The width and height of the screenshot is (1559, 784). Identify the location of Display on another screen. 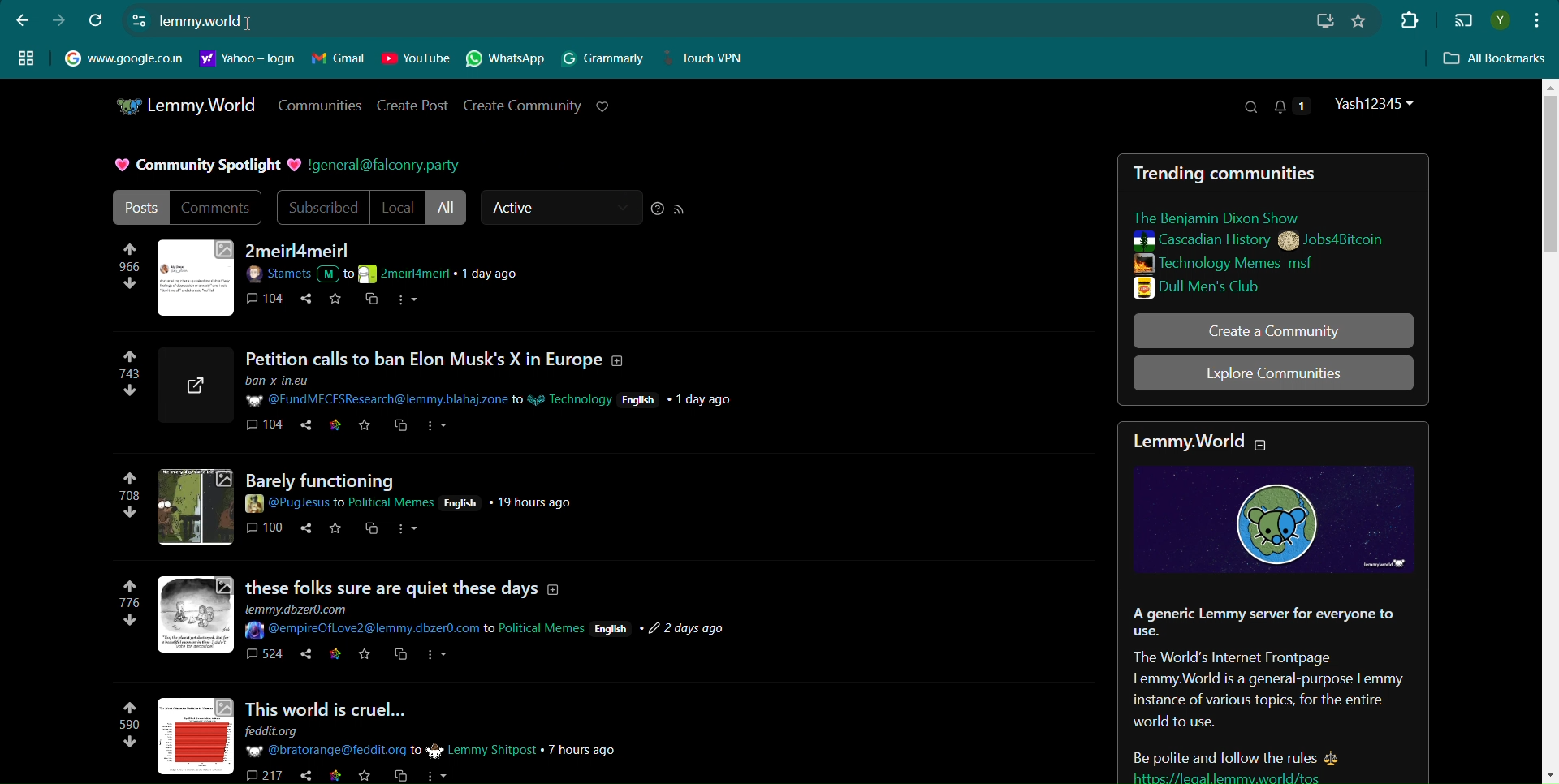
(1463, 21).